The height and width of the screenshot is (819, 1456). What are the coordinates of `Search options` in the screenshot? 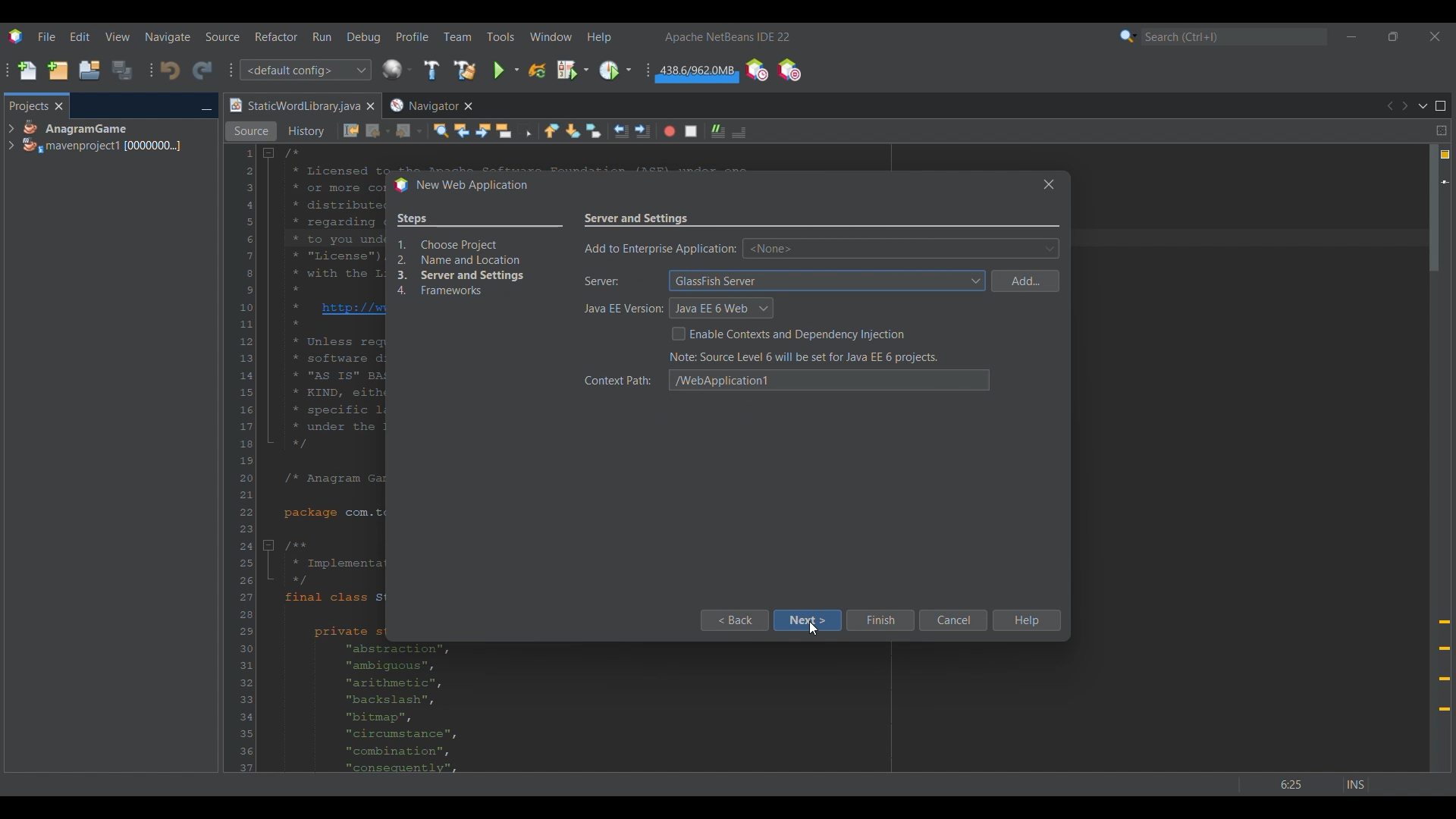 It's located at (1128, 36).